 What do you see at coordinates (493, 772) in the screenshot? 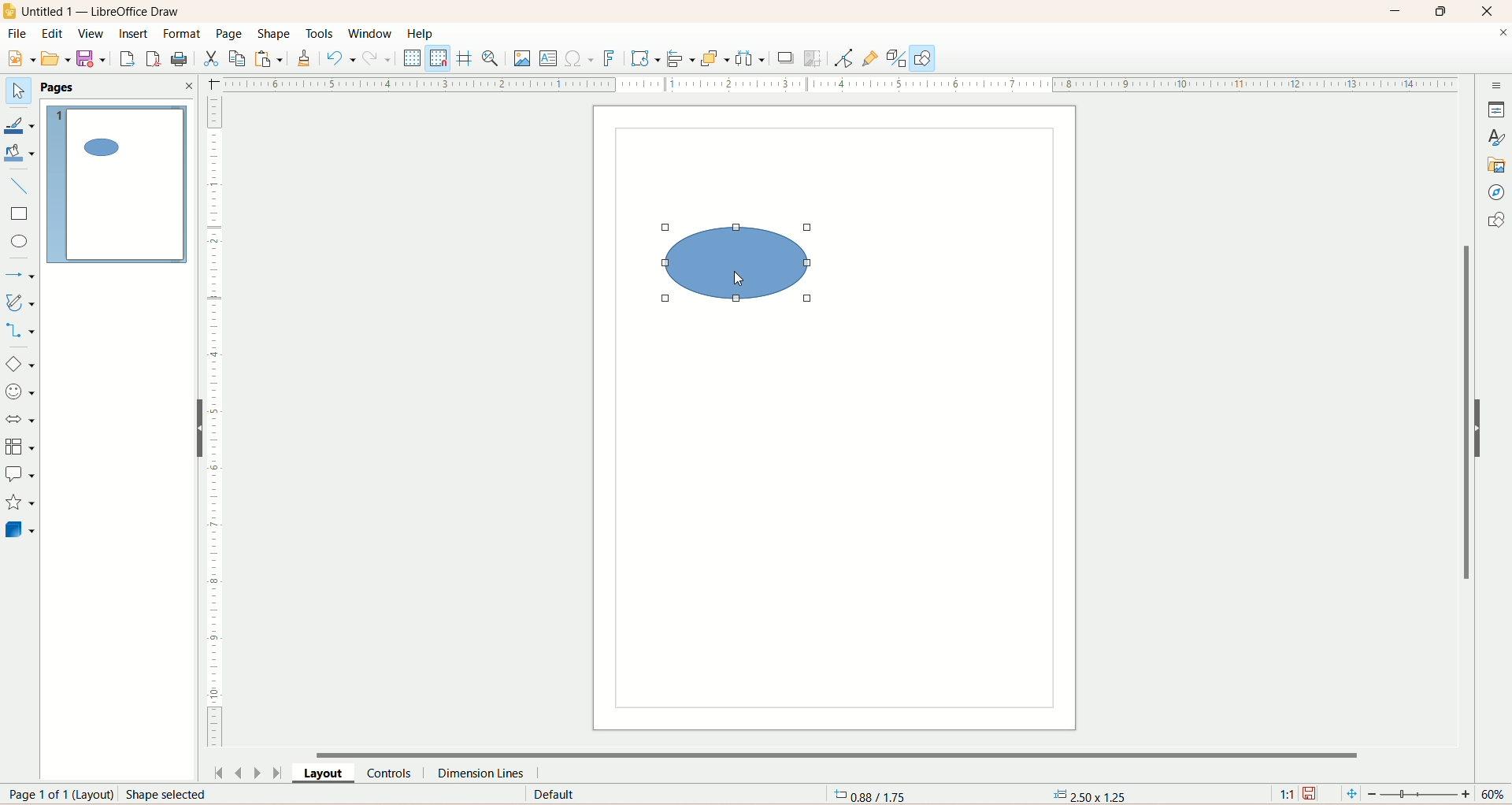
I see `dimension lines` at bounding box center [493, 772].